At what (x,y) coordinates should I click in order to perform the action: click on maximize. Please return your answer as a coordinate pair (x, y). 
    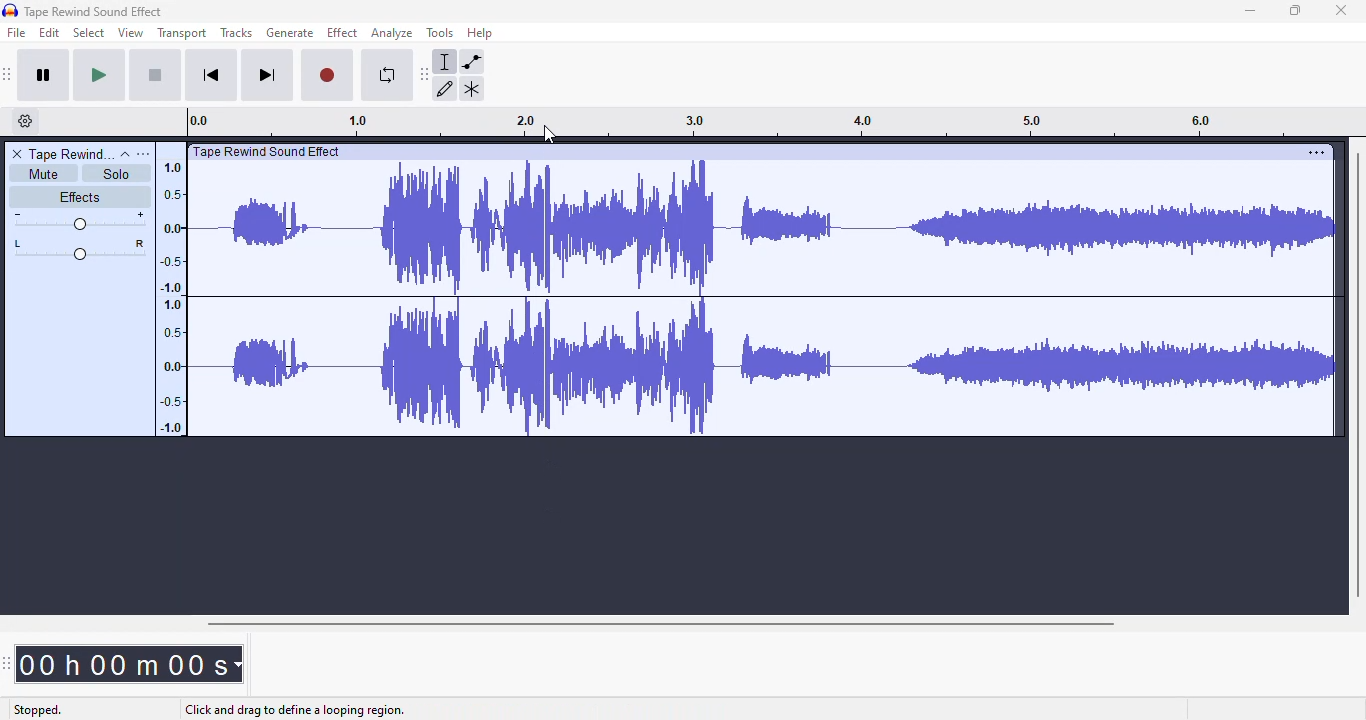
    Looking at the image, I should click on (1297, 10).